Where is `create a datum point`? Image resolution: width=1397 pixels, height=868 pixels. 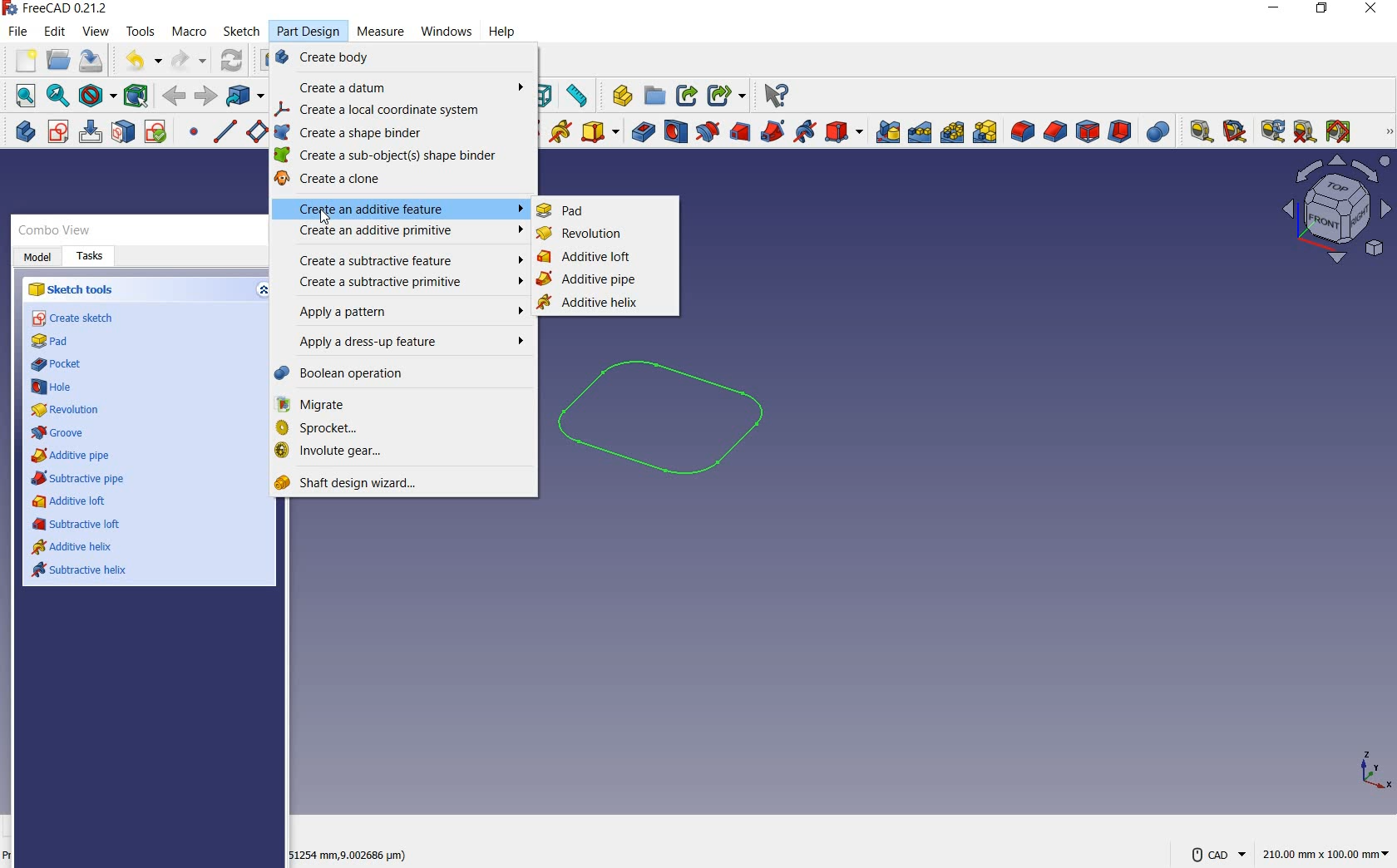 create a datum point is located at coordinates (195, 133).